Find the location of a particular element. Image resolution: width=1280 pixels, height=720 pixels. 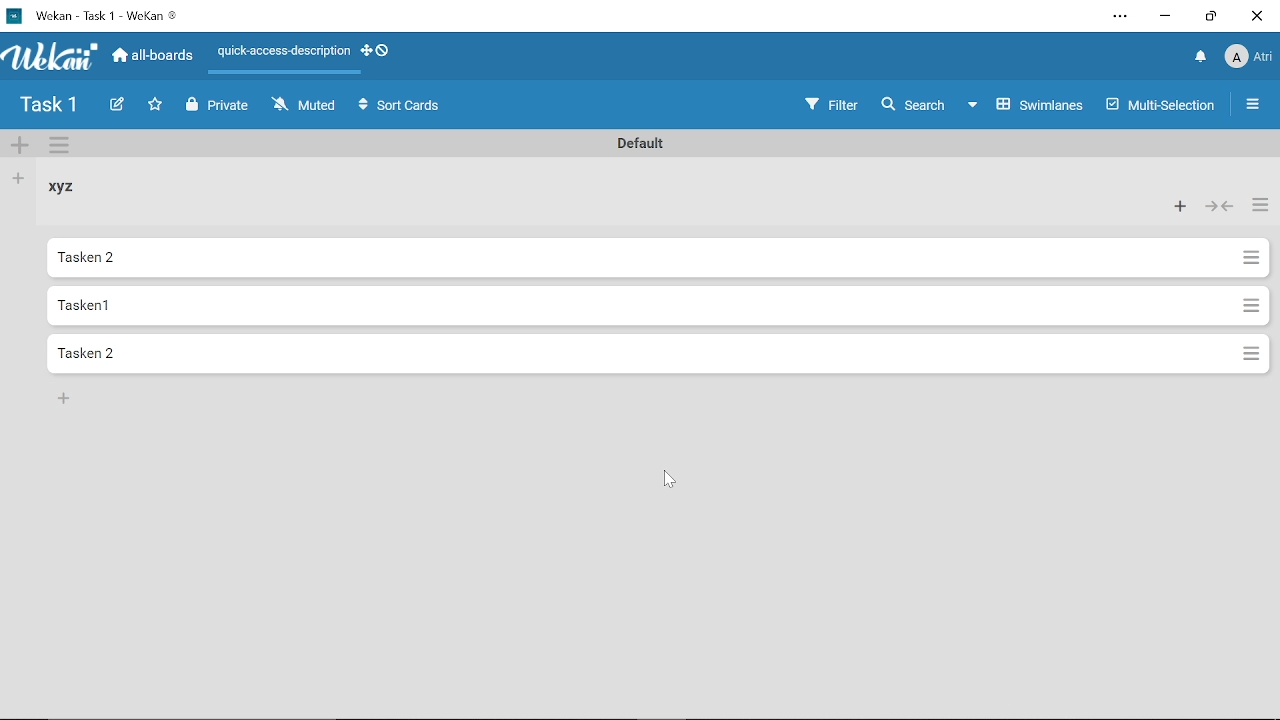

Card titled "Tasken 1" is located at coordinates (628, 258).